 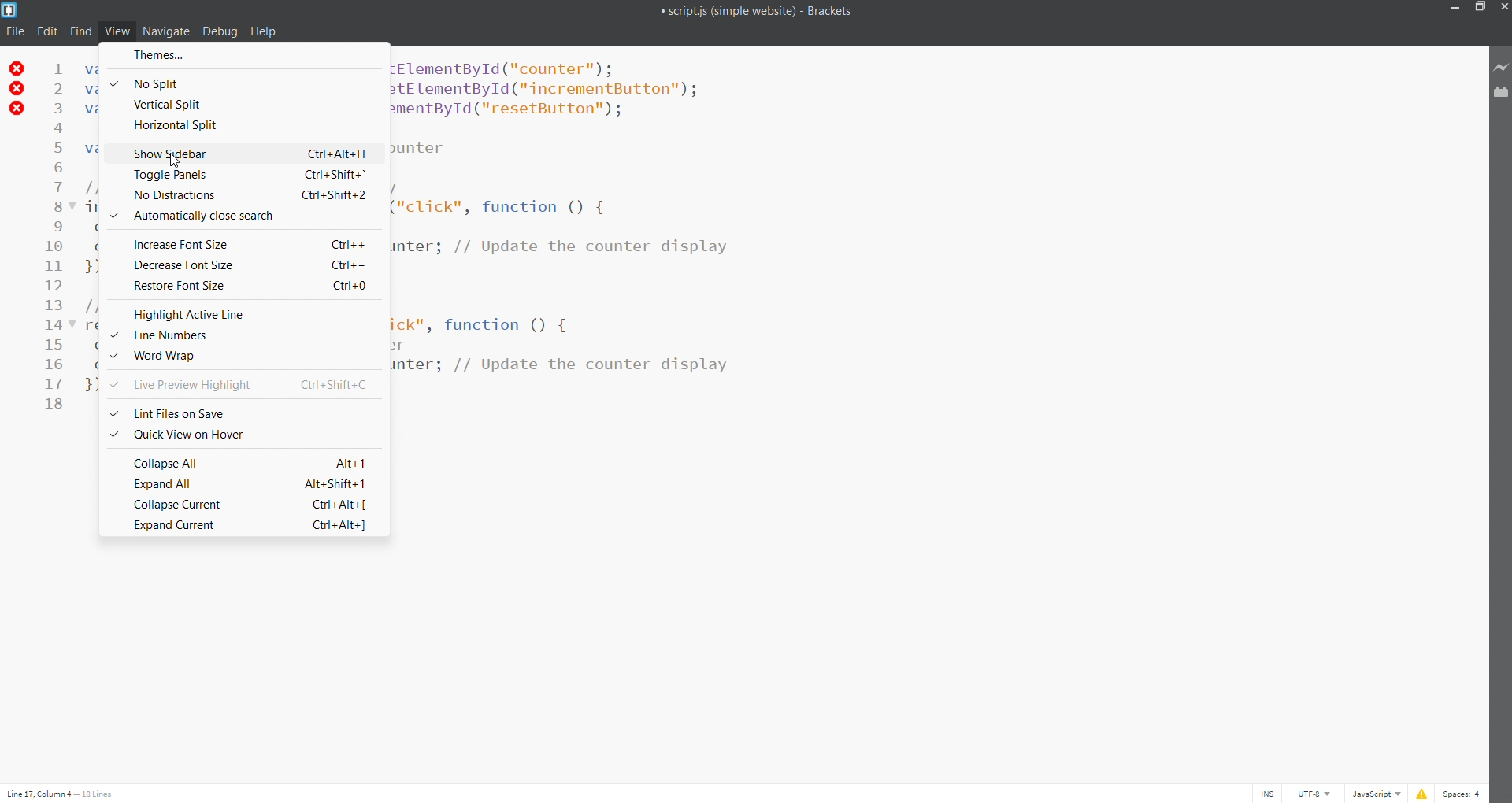 What do you see at coordinates (160, 55) in the screenshot?
I see `themes` at bounding box center [160, 55].